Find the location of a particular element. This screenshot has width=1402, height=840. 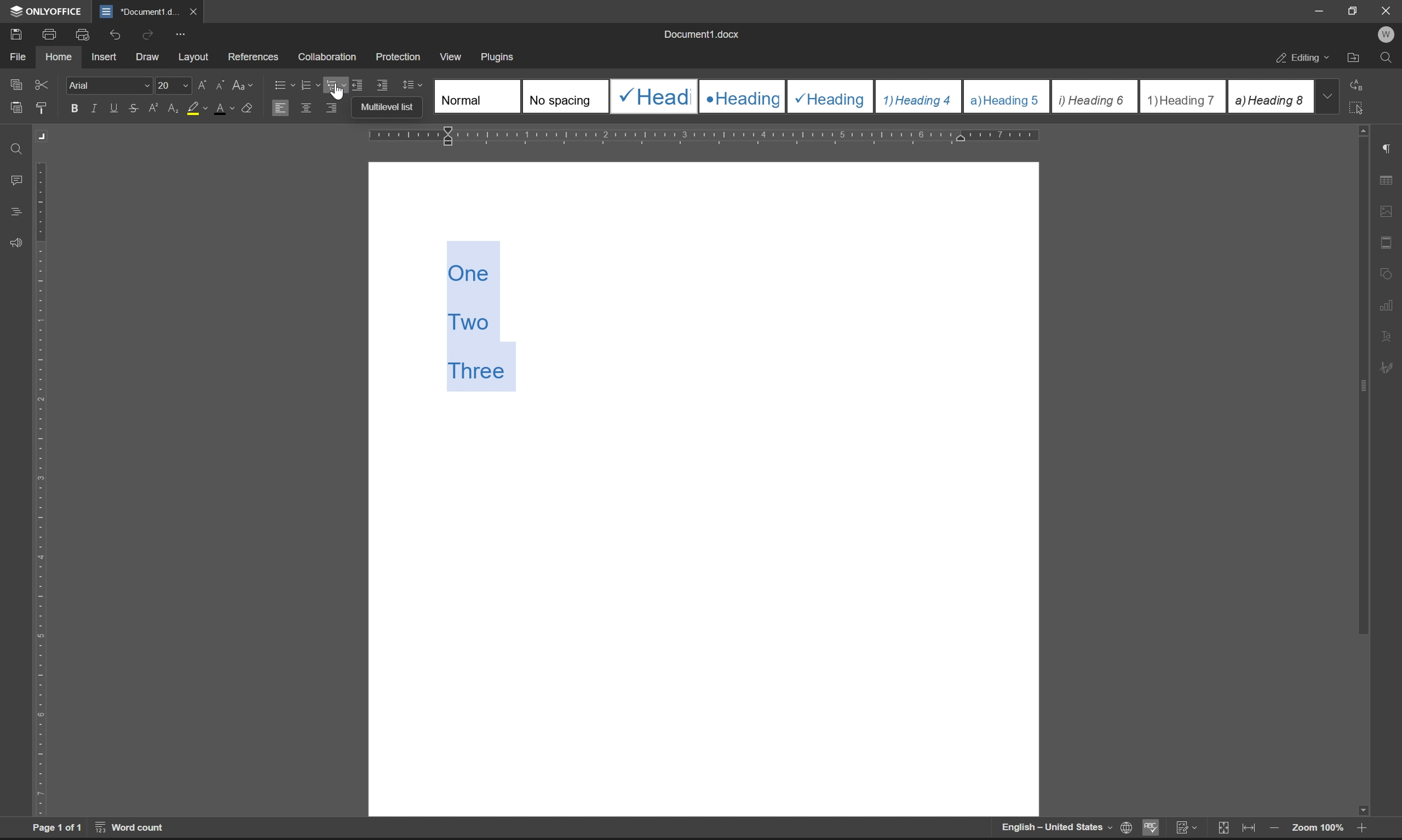

replace is located at coordinates (1360, 84).